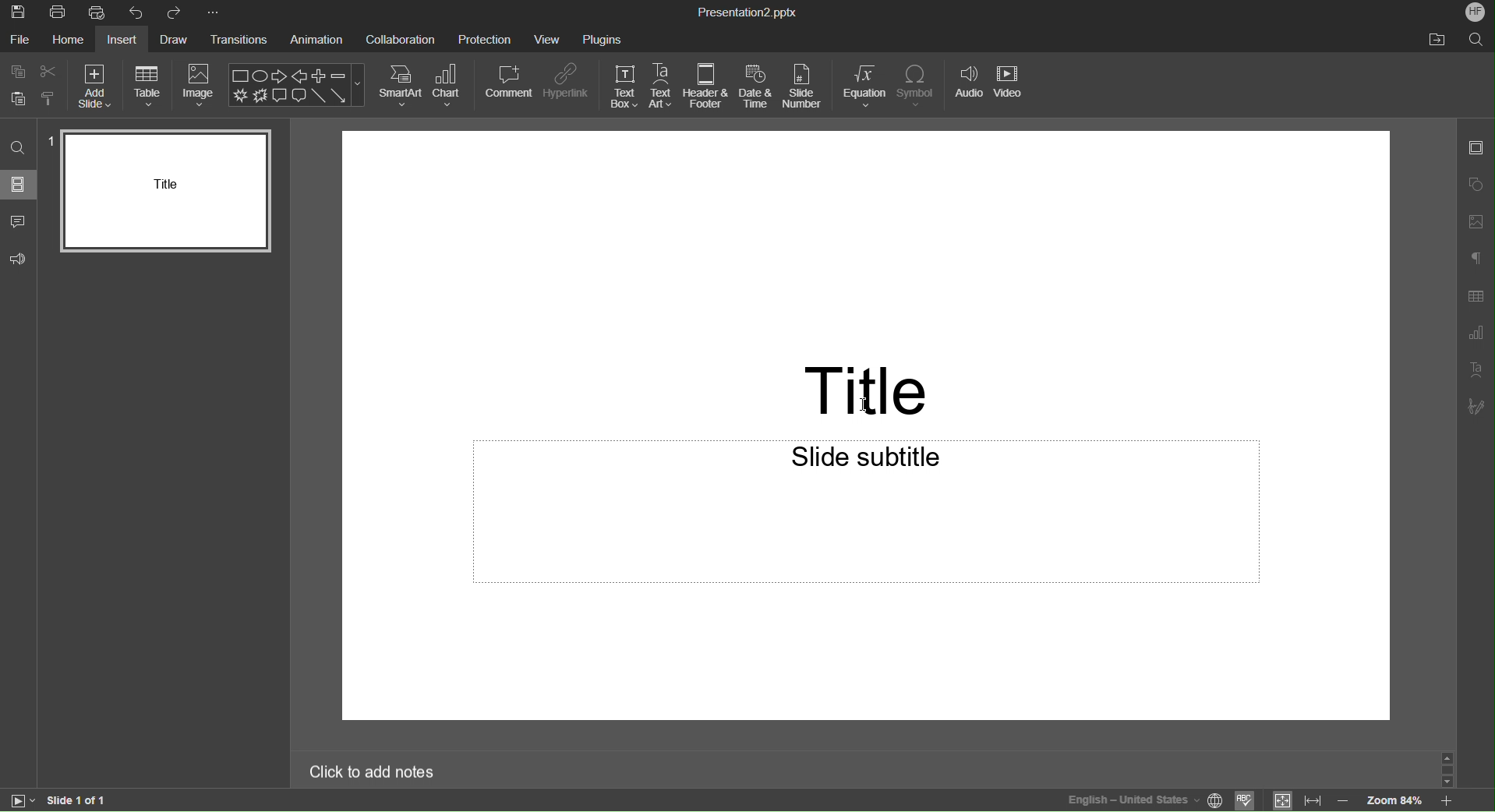 This screenshot has width=1495, height=812. What do you see at coordinates (93, 86) in the screenshot?
I see `Add Slide` at bounding box center [93, 86].